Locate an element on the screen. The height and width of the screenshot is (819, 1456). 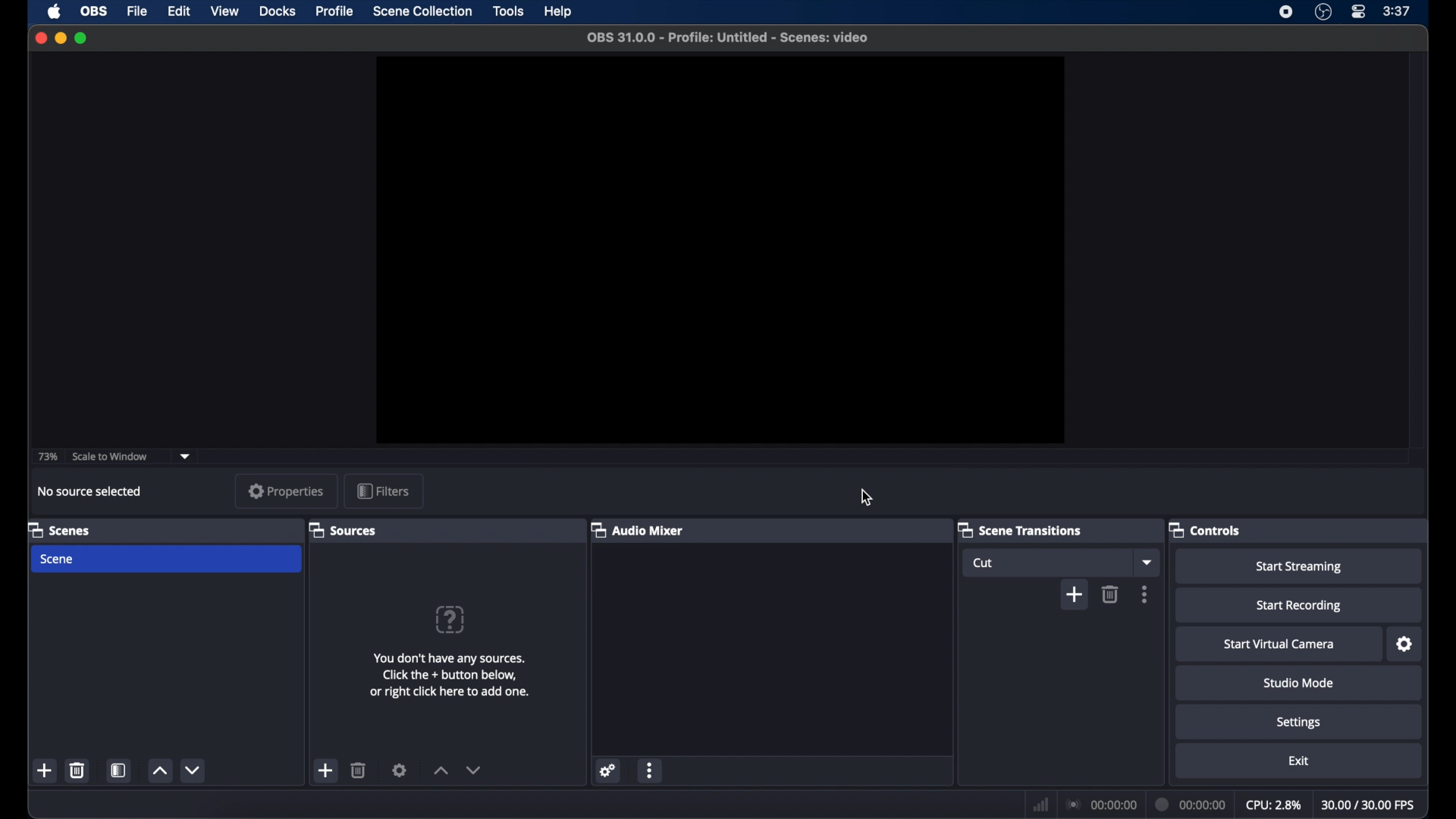
help is located at coordinates (560, 11).